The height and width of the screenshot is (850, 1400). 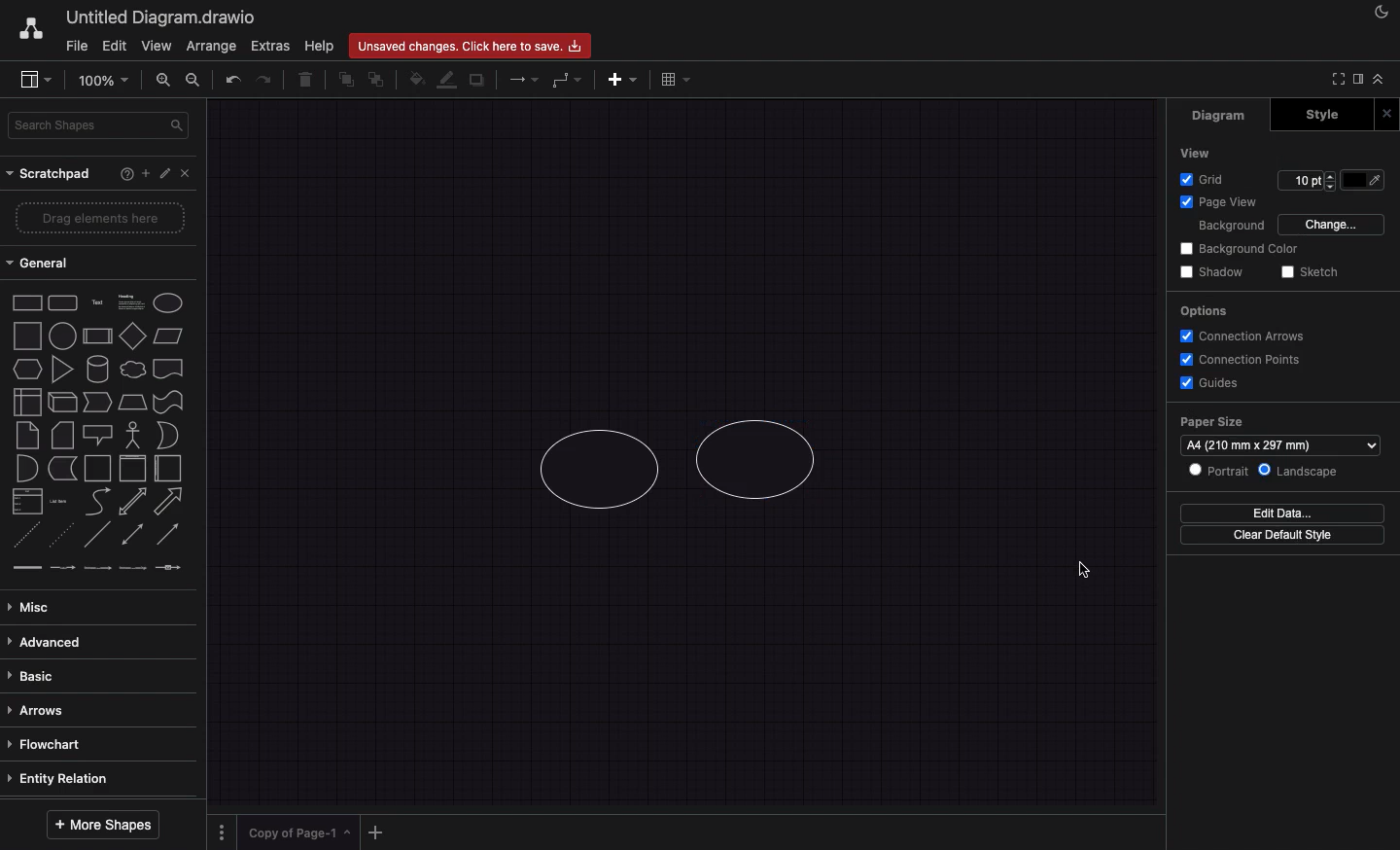 What do you see at coordinates (478, 82) in the screenshot?
I see `shadow` at bounding box center [478, 82].